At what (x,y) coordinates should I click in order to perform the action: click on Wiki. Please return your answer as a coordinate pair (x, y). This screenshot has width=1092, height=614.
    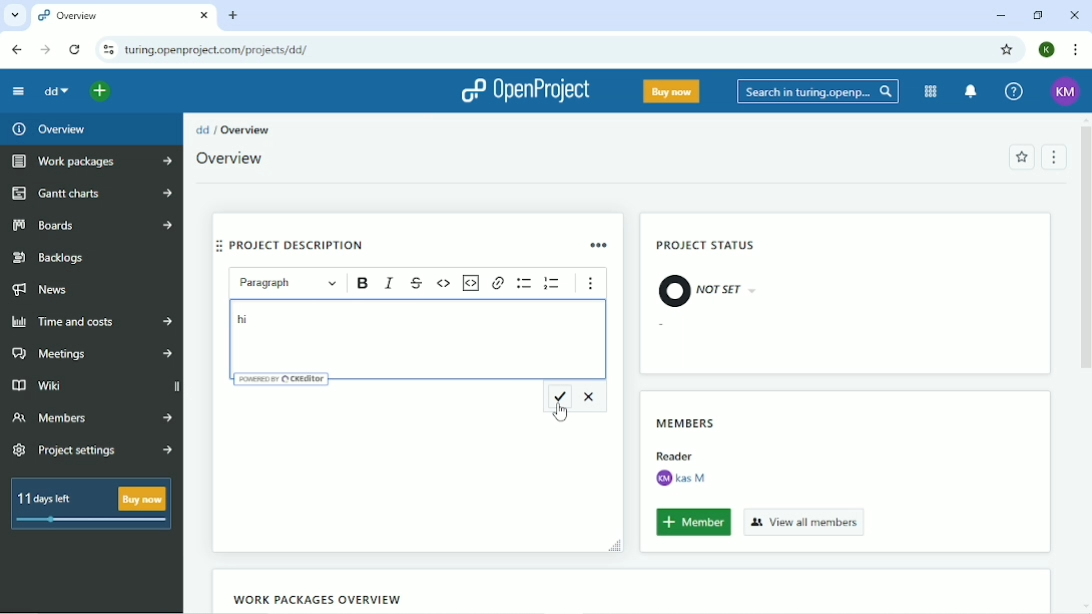
    Looking at the image, I should click on (92, 384).